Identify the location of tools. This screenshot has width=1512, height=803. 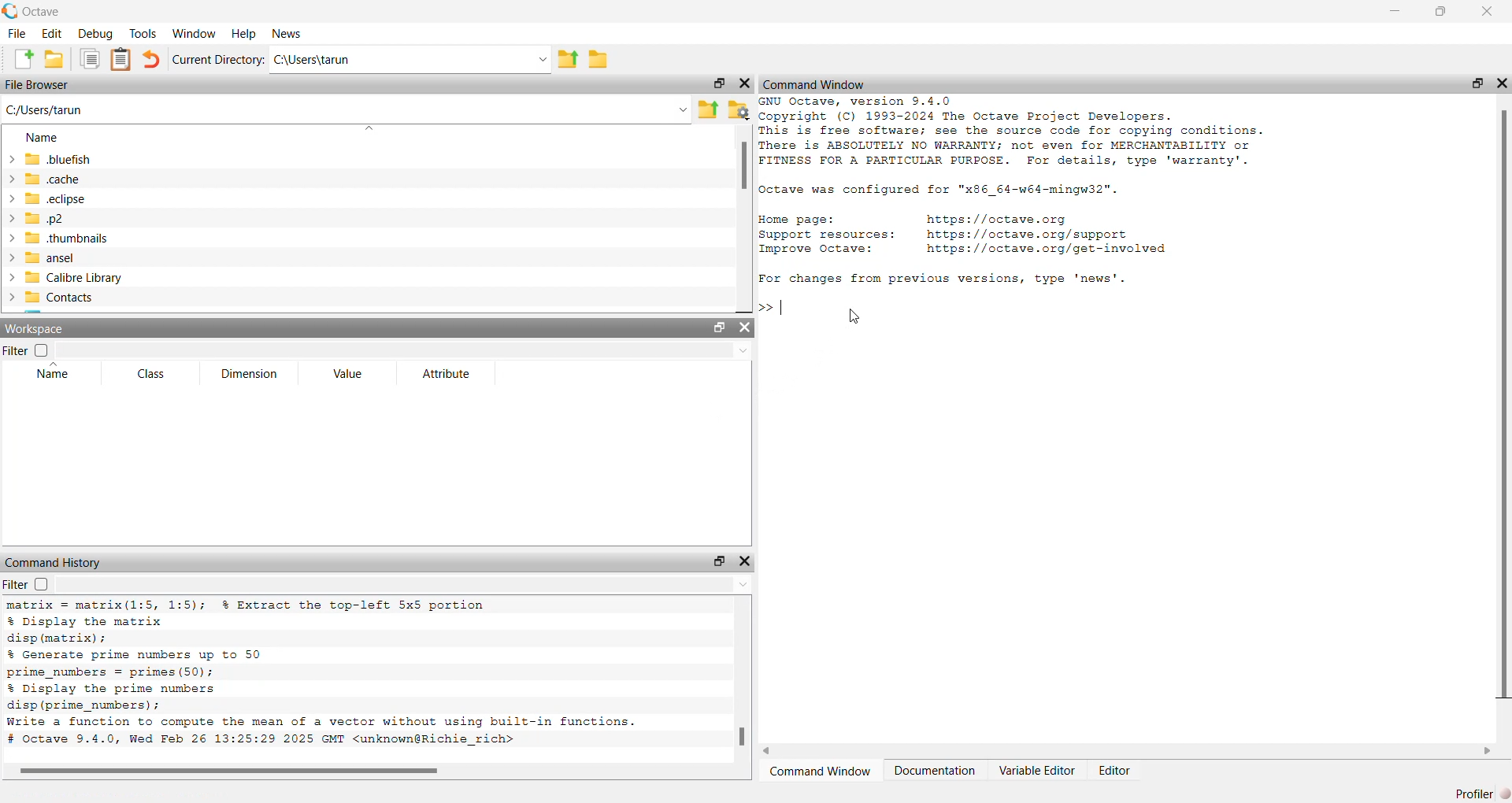
(144, 33).